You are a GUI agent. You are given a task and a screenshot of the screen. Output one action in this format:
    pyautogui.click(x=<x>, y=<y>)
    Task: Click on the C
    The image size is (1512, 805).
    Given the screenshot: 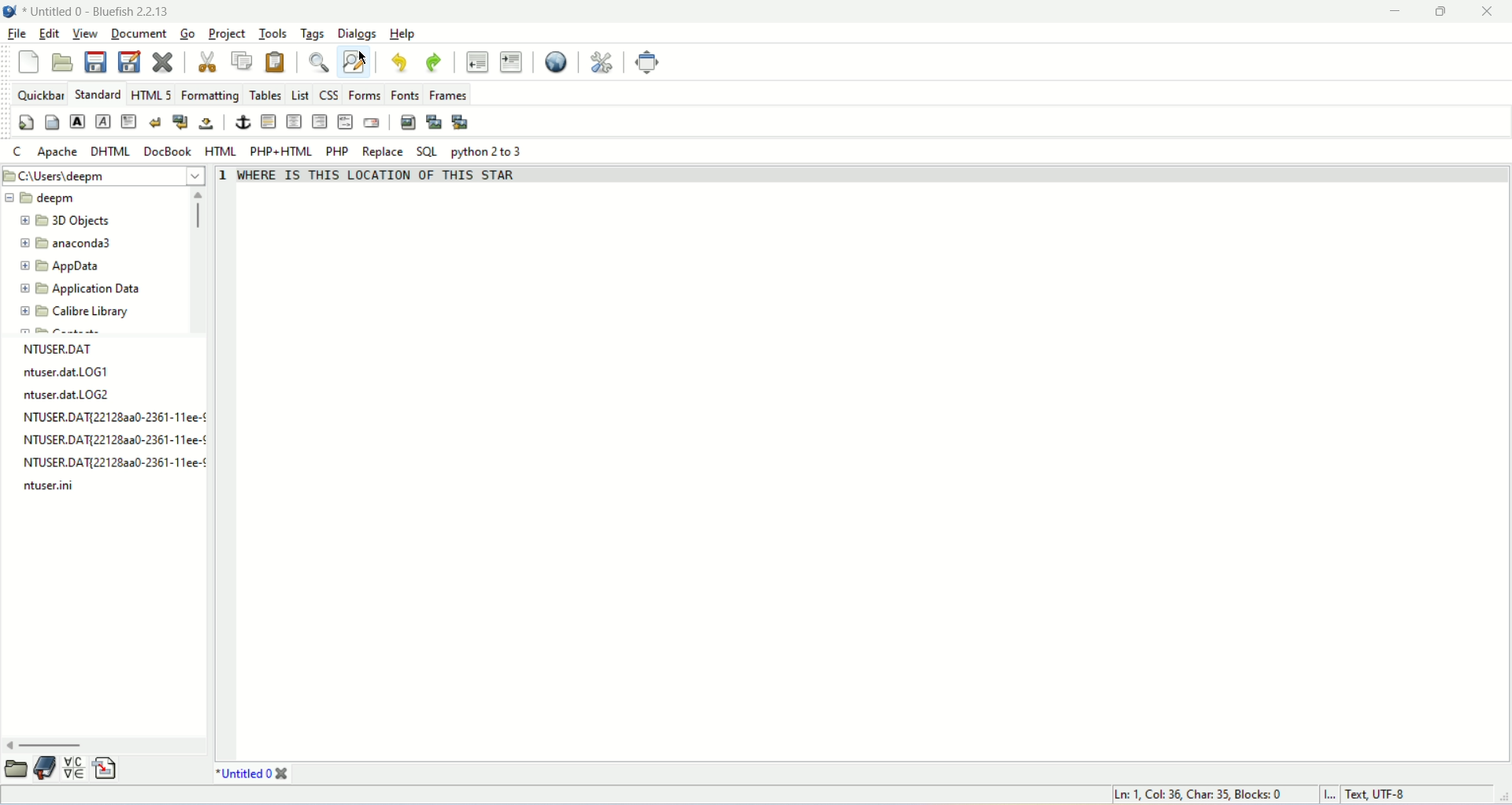 What is the action you would take?
    pyautogui.click(x=19, y=154)
    